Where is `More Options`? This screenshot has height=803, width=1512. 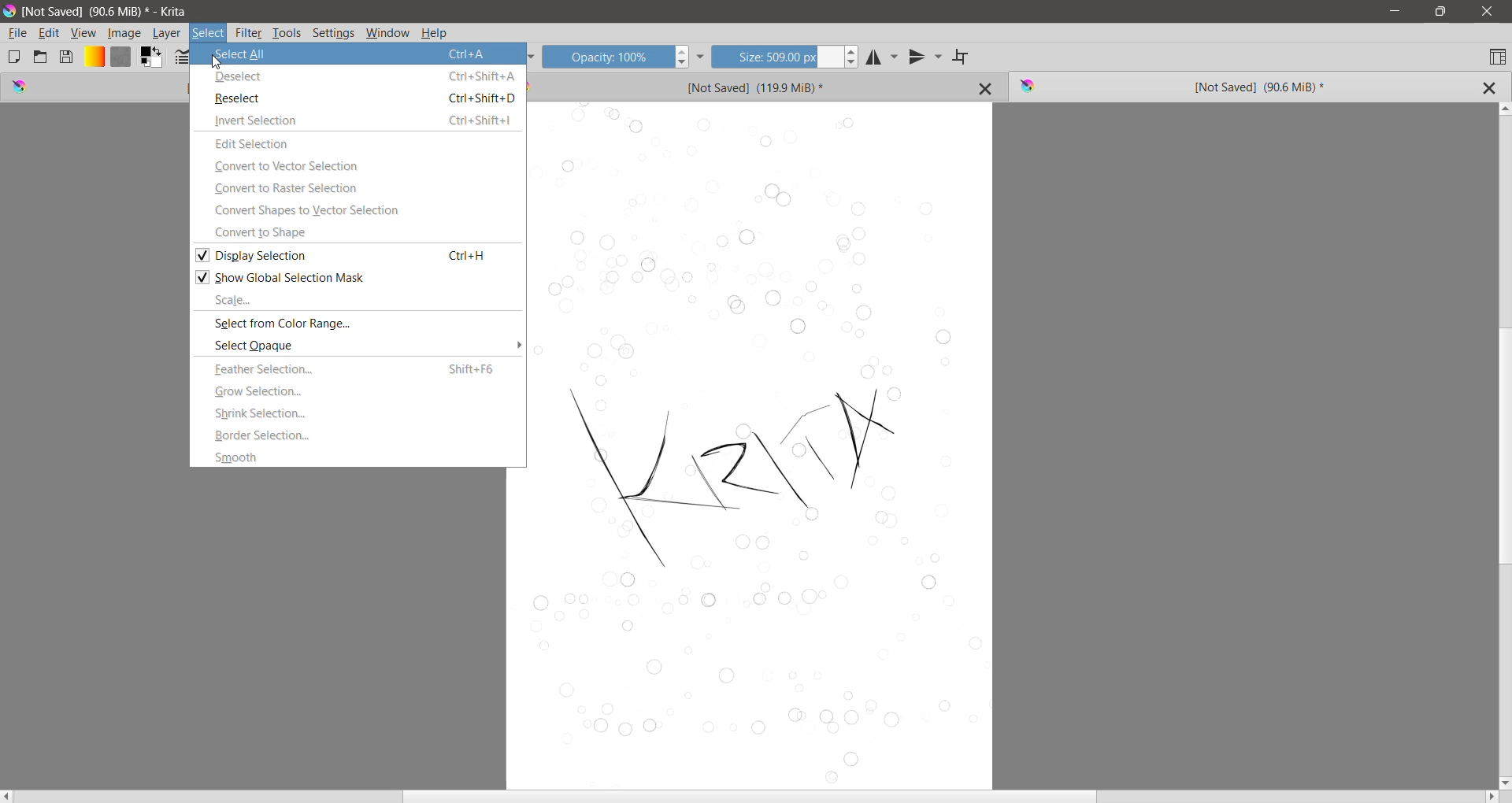 More Options is located at coordinates (514, 346).